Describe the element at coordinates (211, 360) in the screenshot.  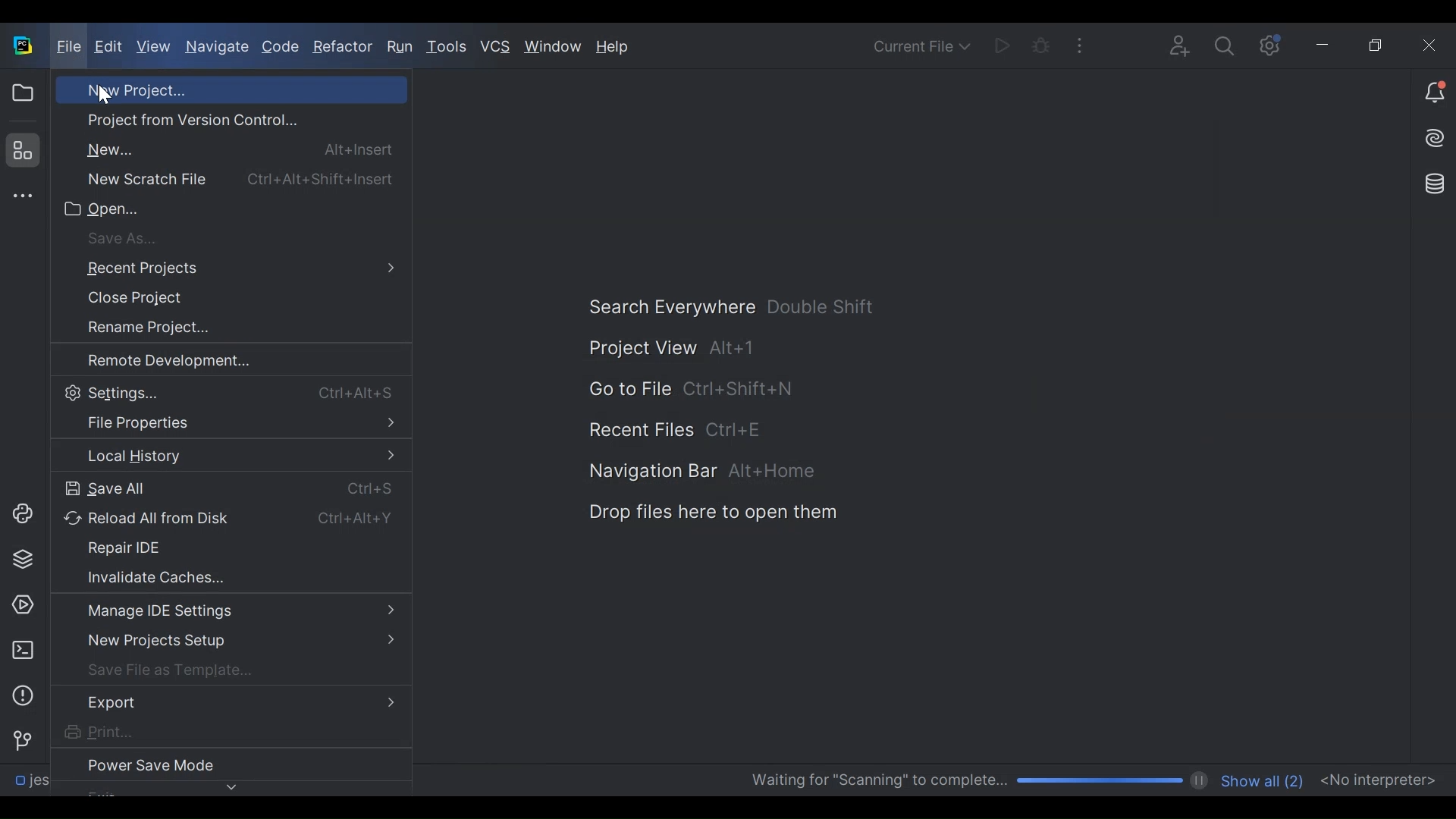
I see `Remote Development` at that location.